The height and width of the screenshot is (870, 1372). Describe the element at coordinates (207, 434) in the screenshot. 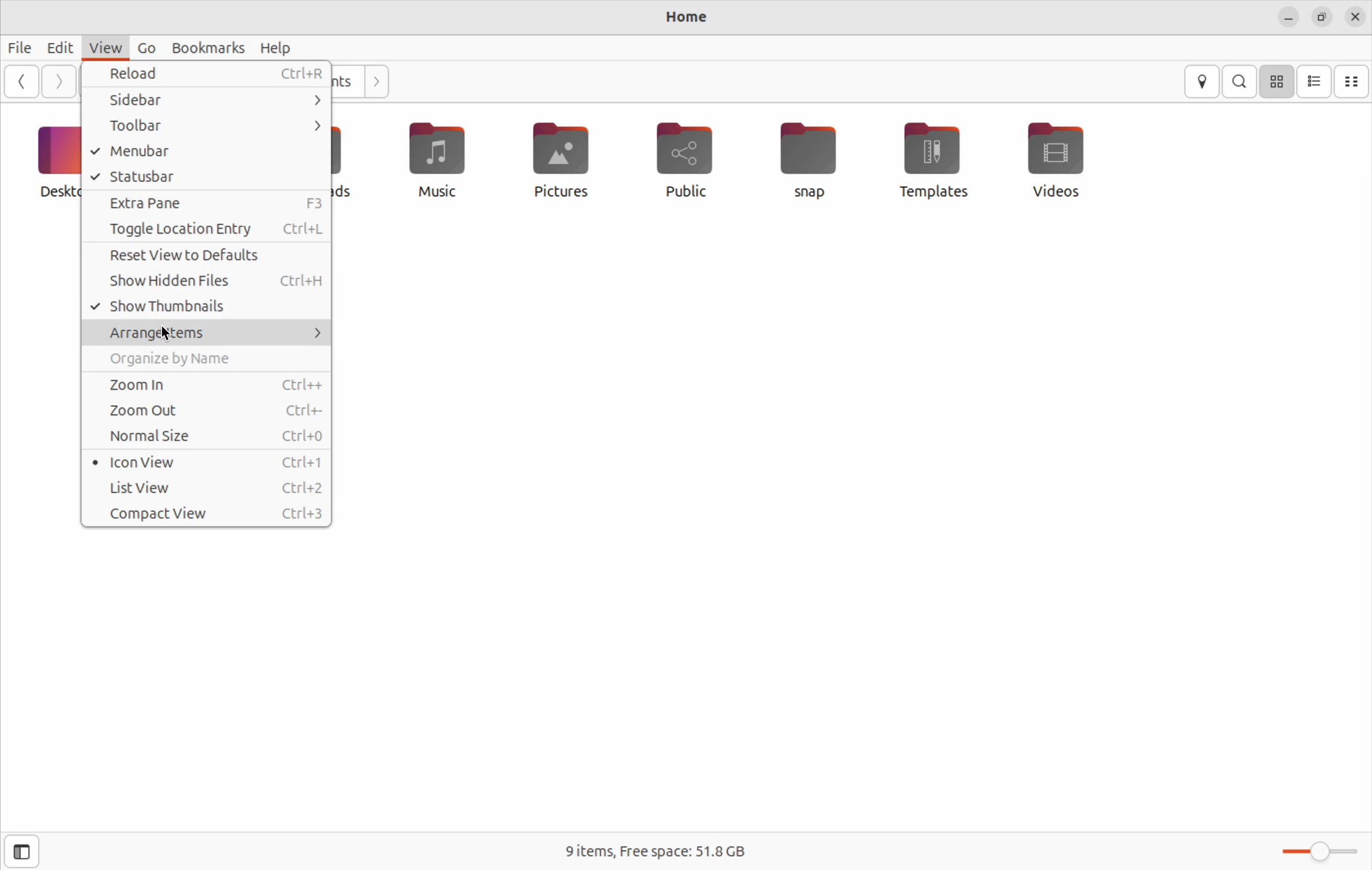

I see `normal size` at that location.